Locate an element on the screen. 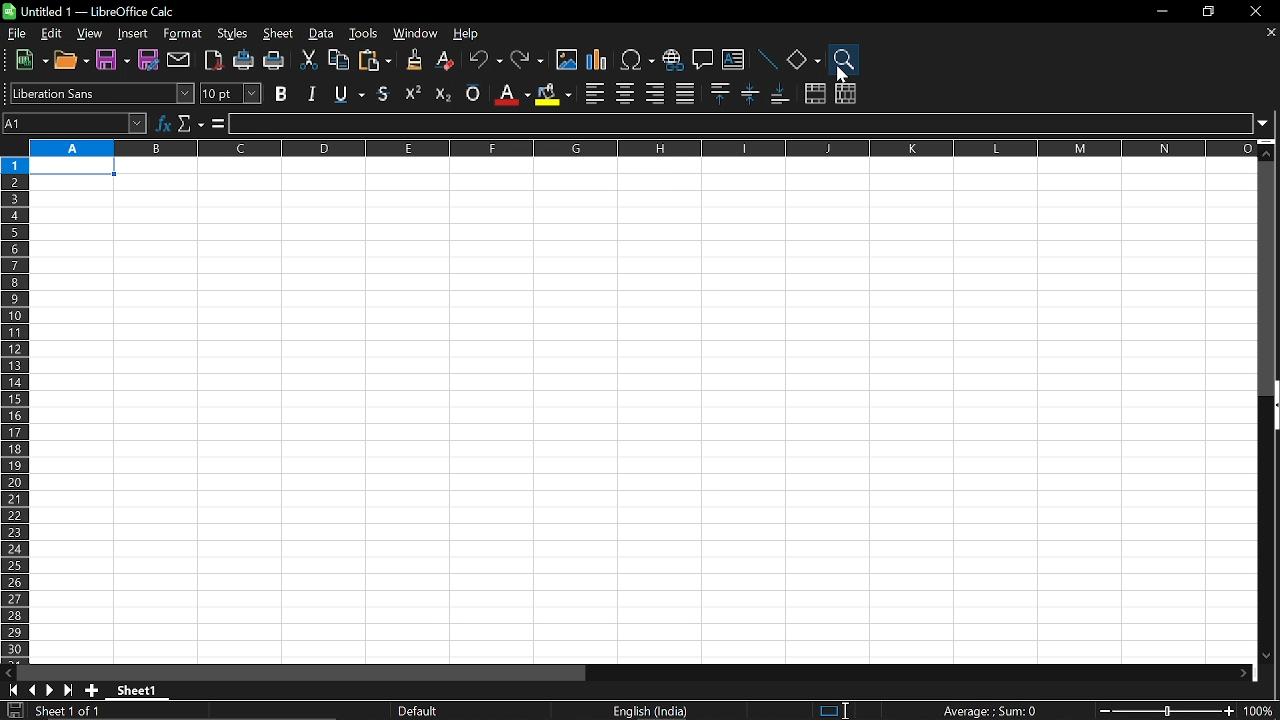 This screenshot has width=1280, height=720. sheet is located at coordinates (279, 35).